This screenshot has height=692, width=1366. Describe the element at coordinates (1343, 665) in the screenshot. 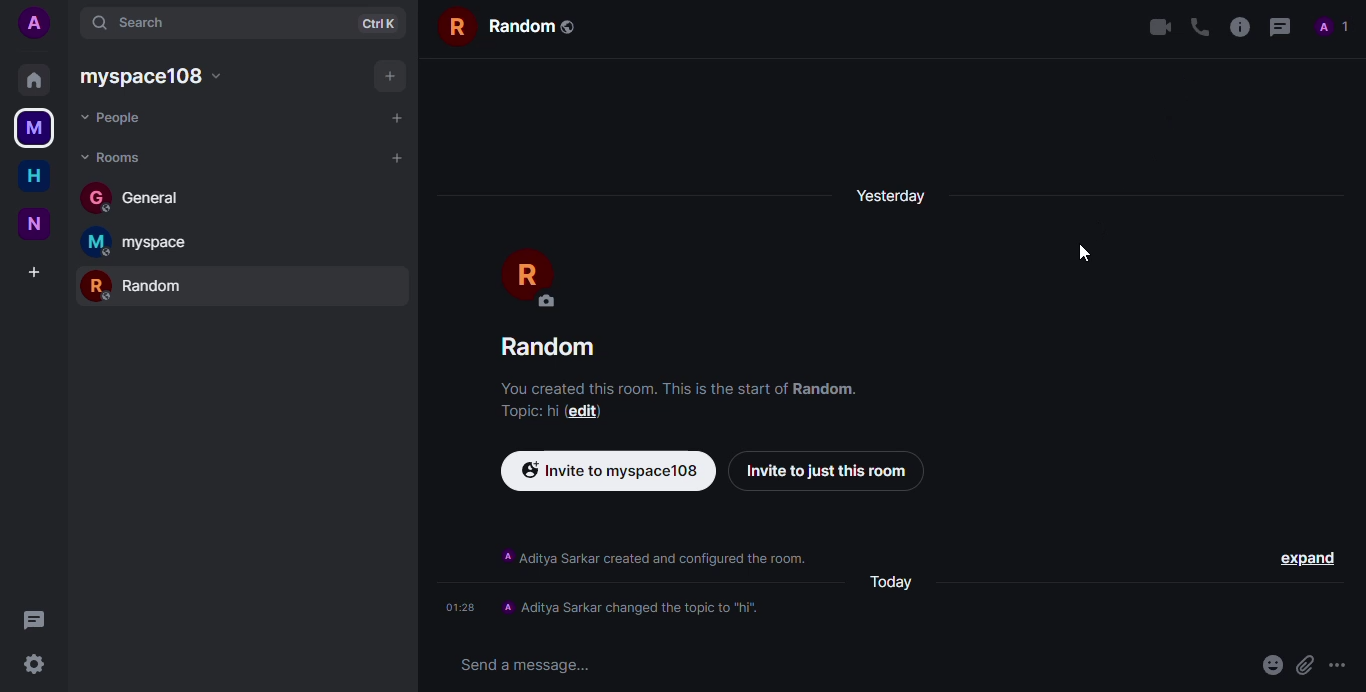

I see `more` at that location.